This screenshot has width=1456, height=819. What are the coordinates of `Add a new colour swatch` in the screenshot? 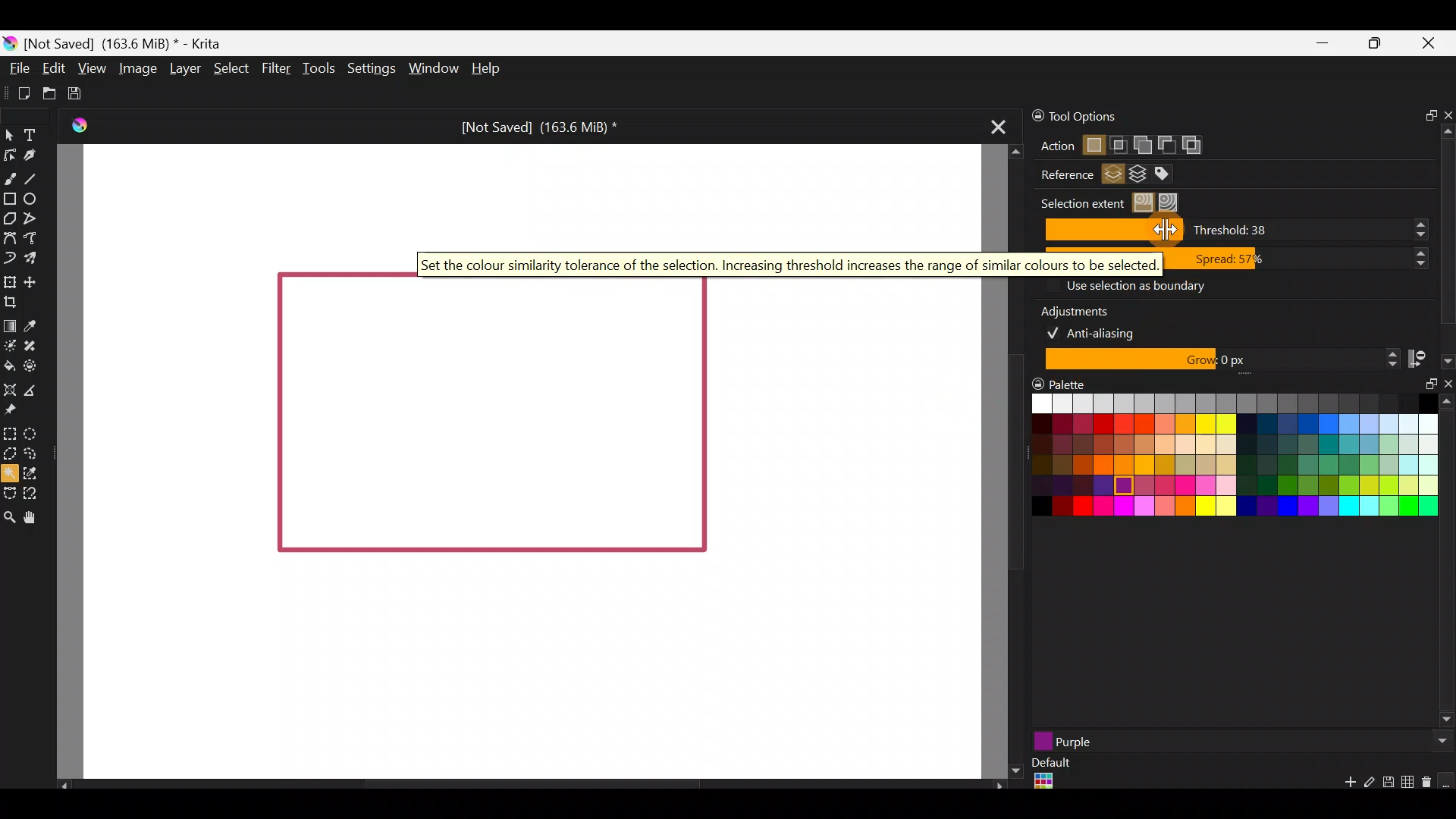 It's located at (1342, 786).